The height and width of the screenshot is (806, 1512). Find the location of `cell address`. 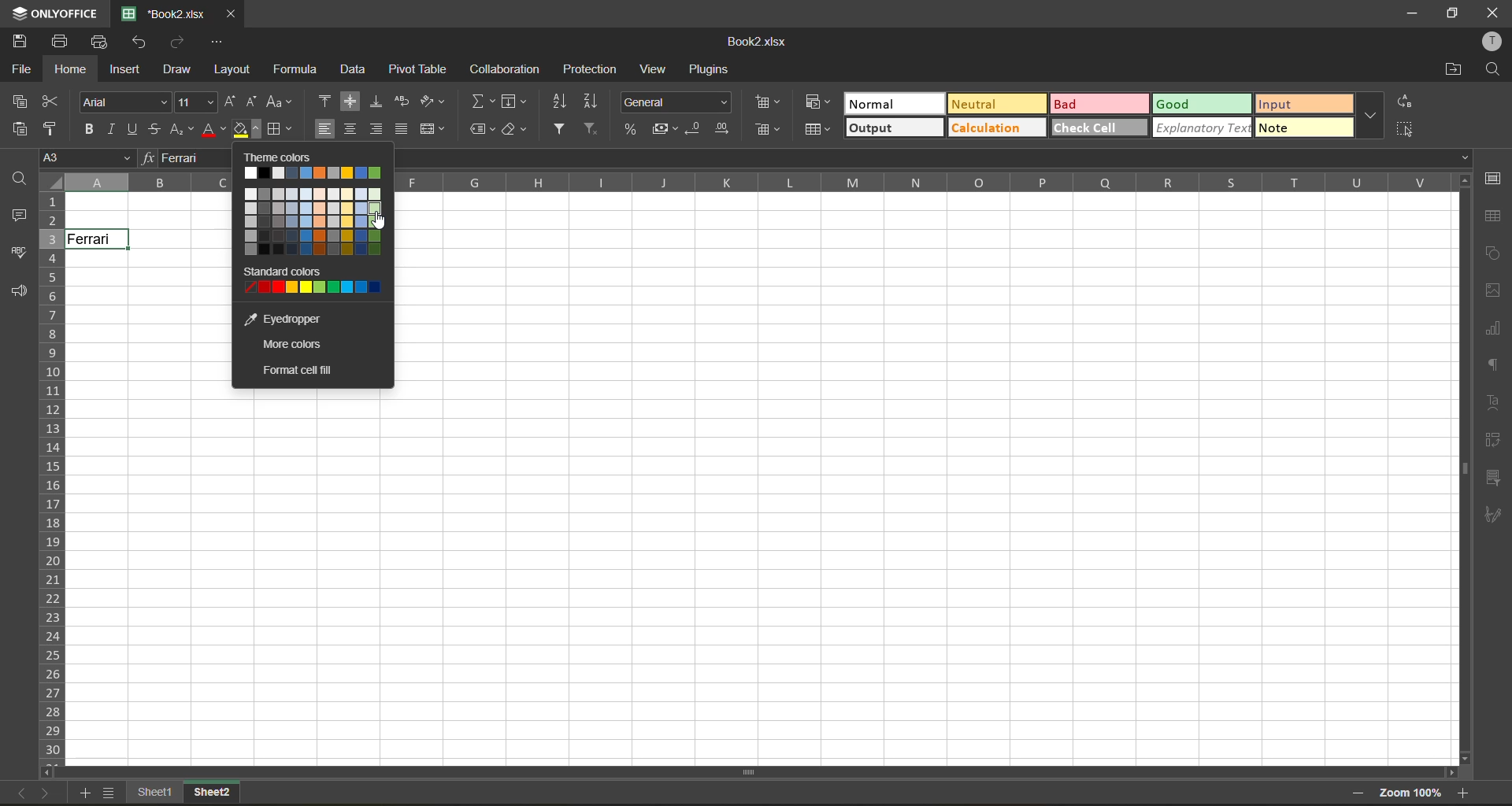

cell address is located at coordinates (84, 158).